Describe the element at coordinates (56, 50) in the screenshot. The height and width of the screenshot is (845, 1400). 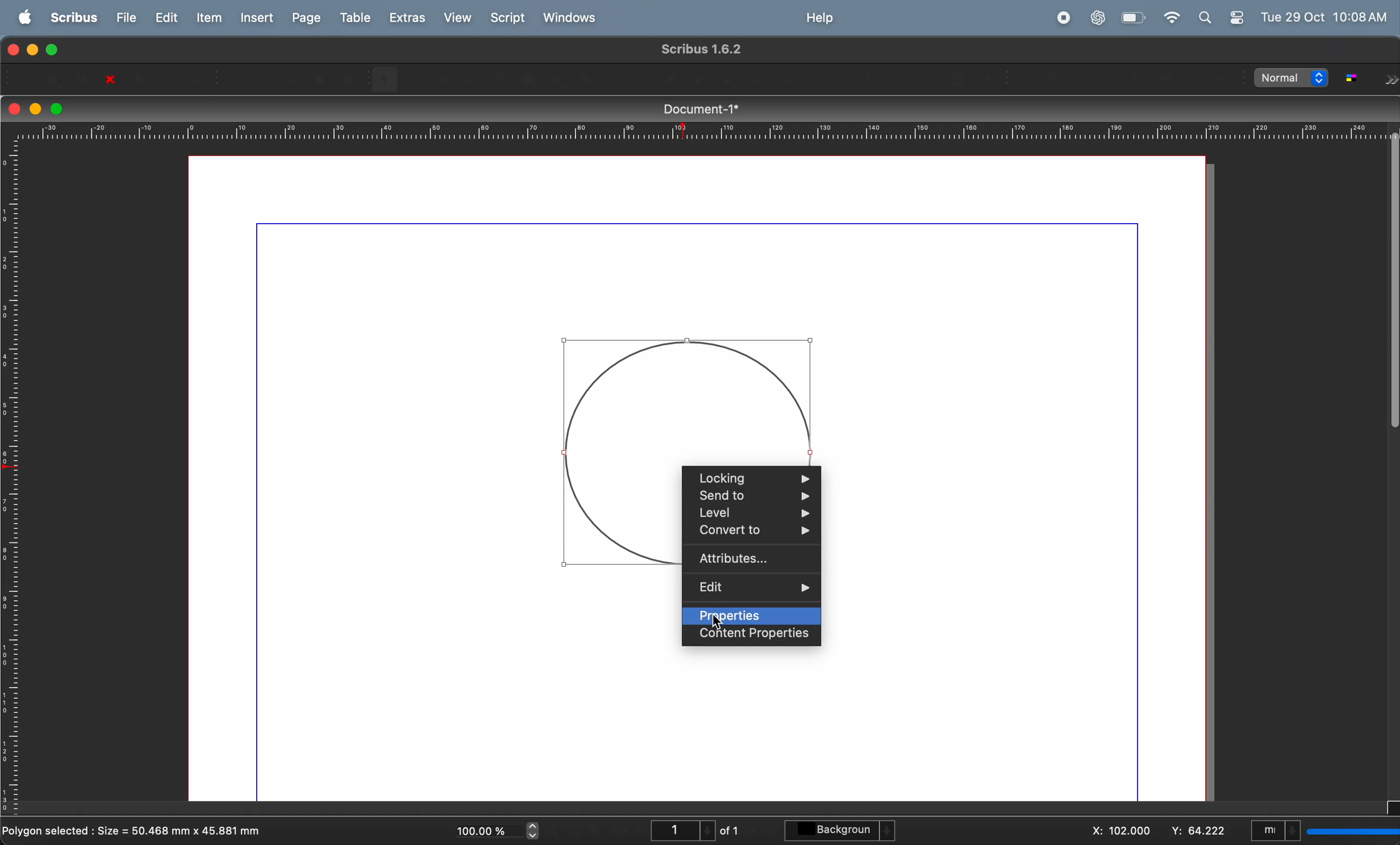
I see `maximize` at that location.